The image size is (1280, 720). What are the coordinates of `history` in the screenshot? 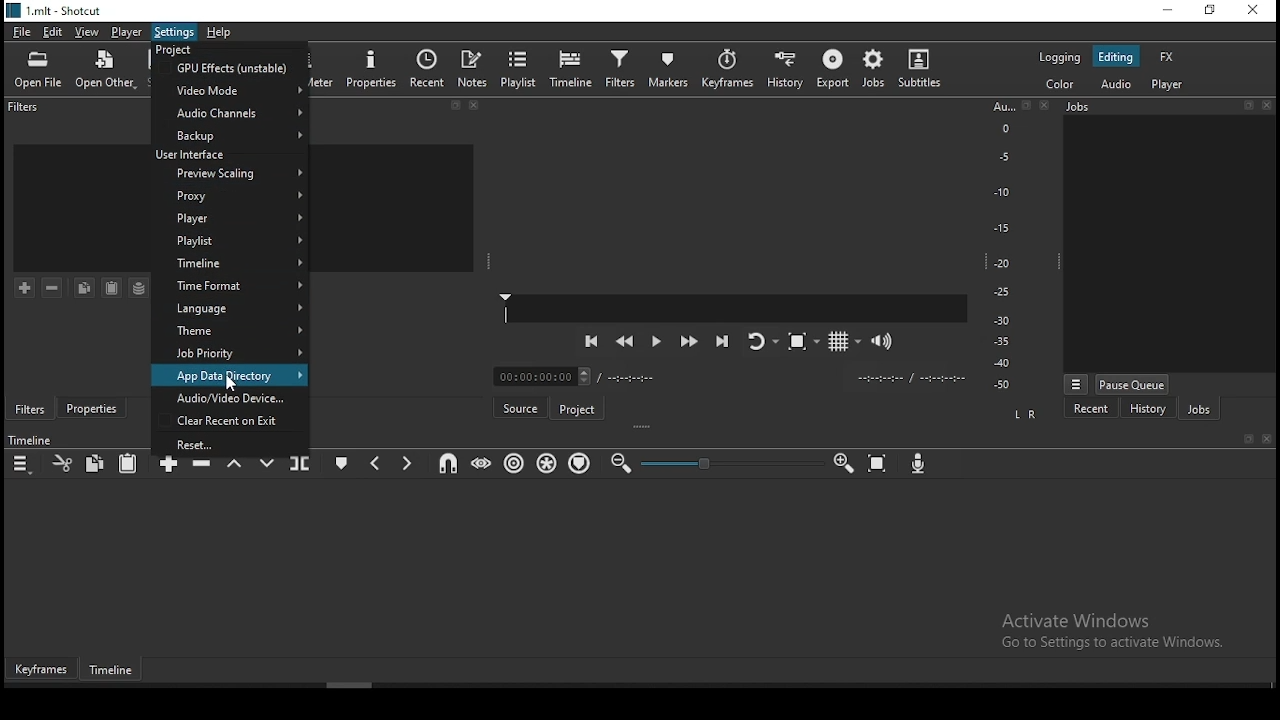 It's located at (1148, 409).